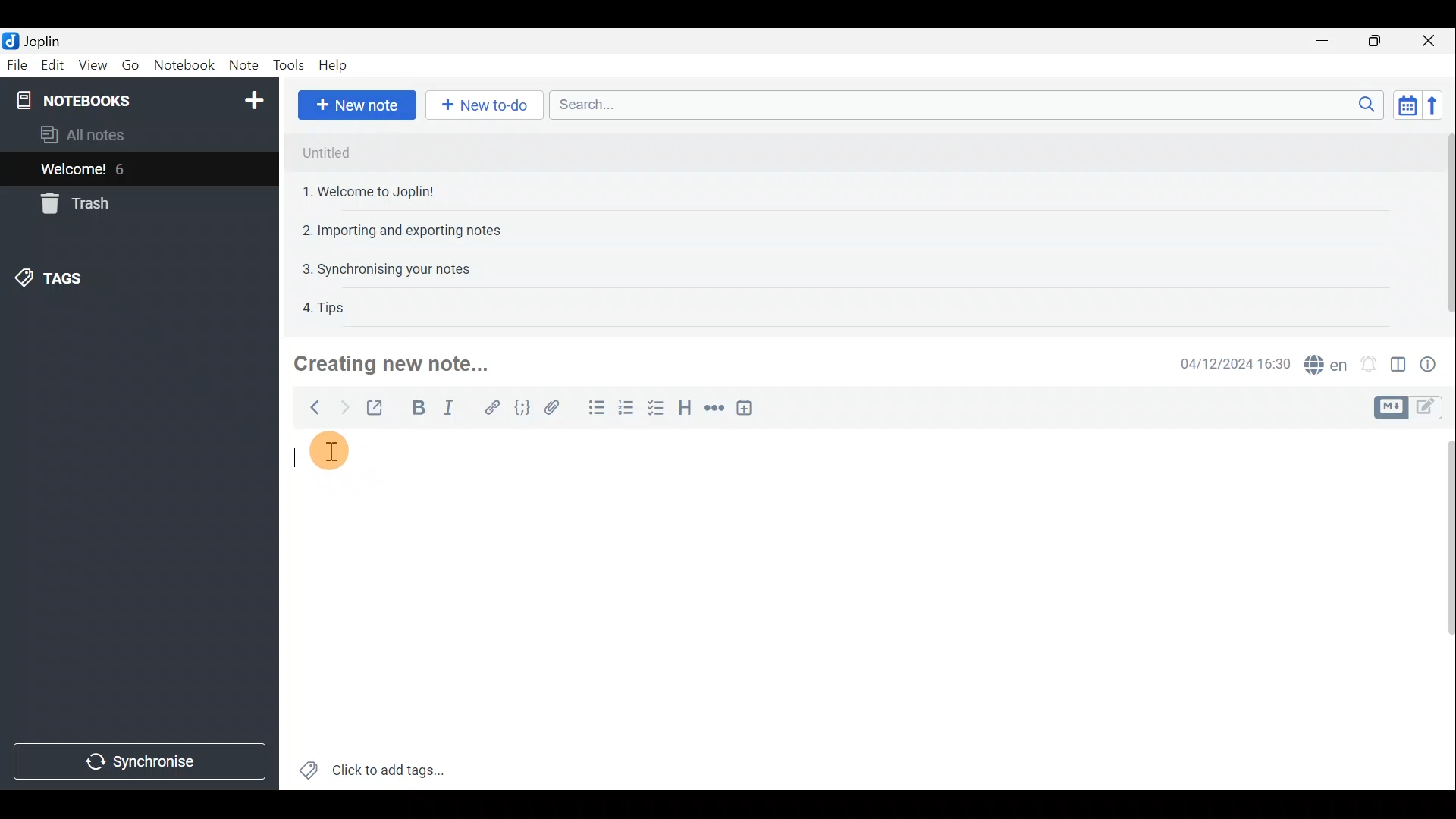  What do you see at coordinates (716, 410) in the screenshot?
I see `Horizontal rule` at bounding box center [716, 410].